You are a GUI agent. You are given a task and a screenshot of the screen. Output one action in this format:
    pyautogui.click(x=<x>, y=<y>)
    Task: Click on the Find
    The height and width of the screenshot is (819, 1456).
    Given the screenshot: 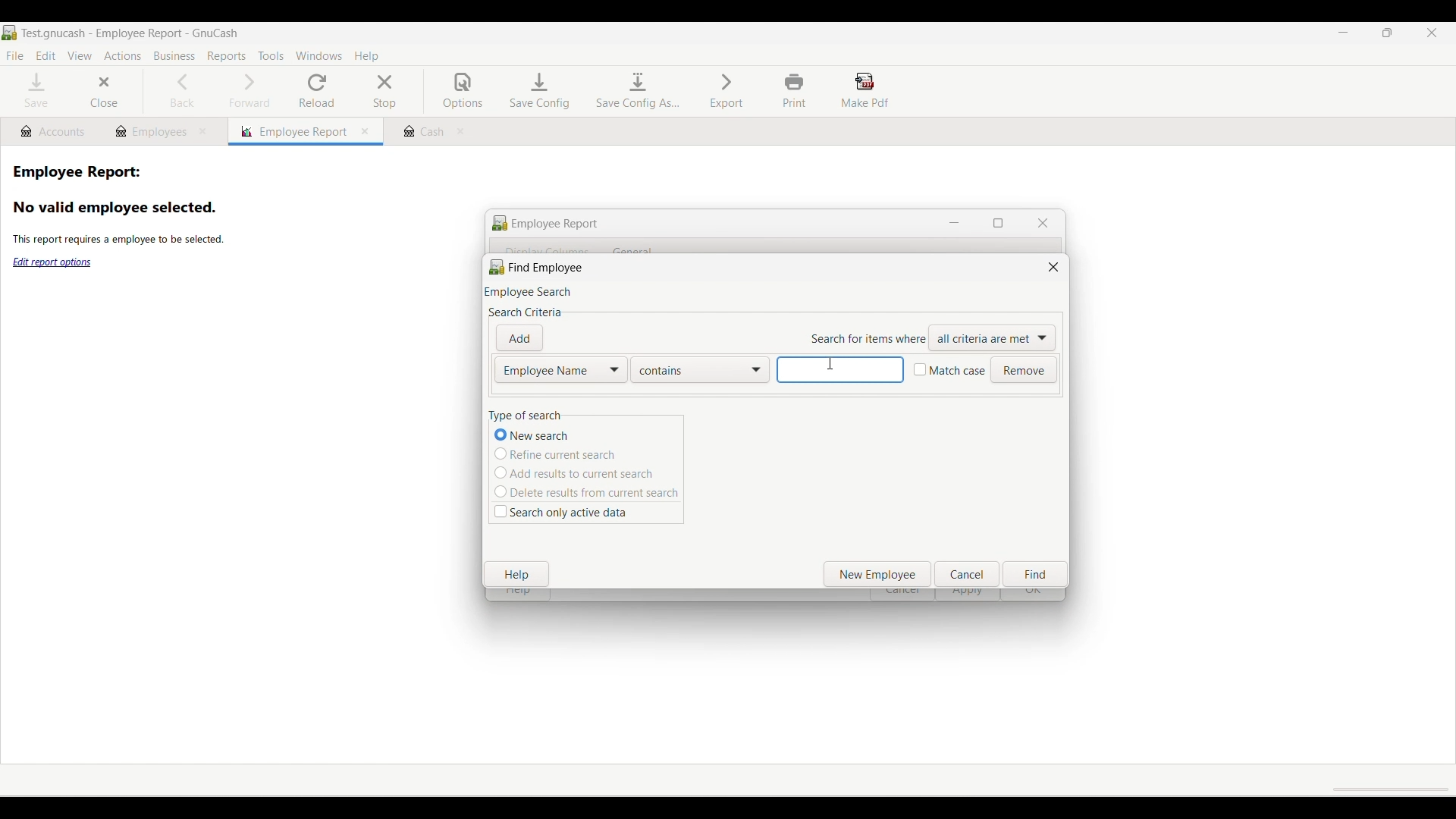 What is the action you would take?
    pyautogui.click(x=1034, y=574)
    